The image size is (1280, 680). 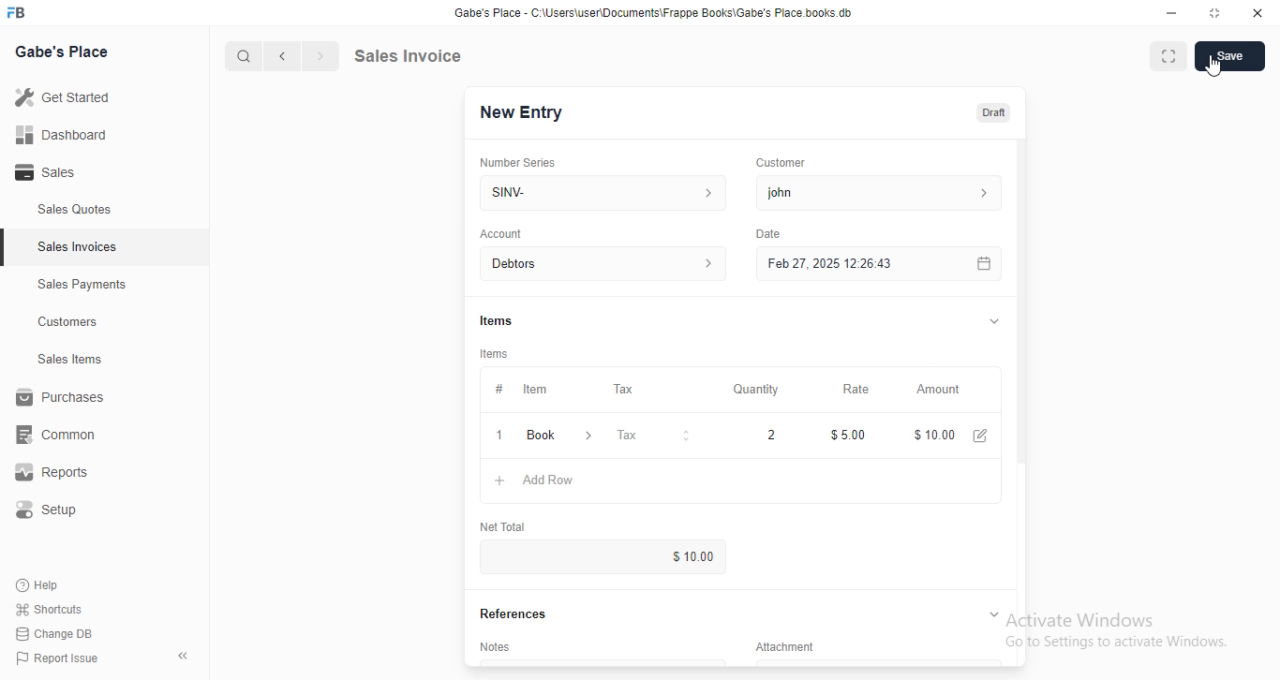 What do you see at coordinates (61, 660) in the screenshot?
I see `Report Issue` at bounding box center [61, 660].